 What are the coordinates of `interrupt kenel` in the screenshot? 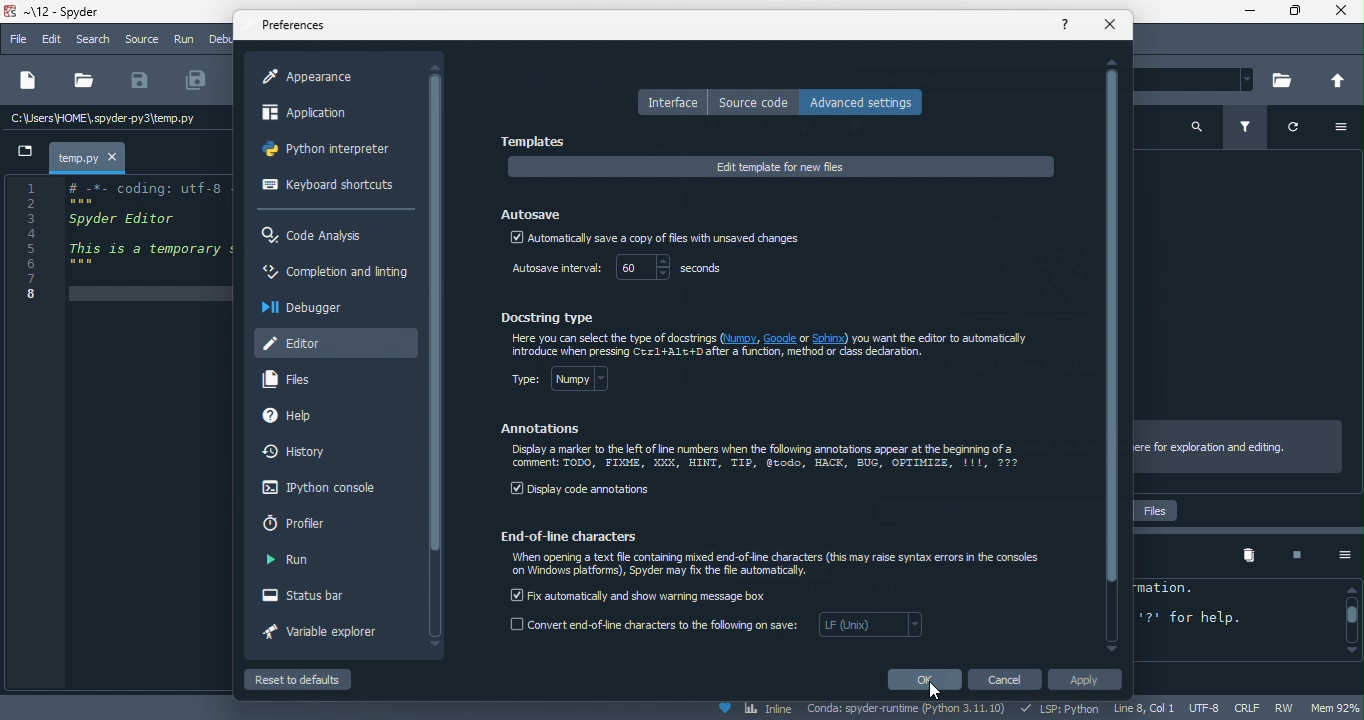 It's located at (1289, 556).